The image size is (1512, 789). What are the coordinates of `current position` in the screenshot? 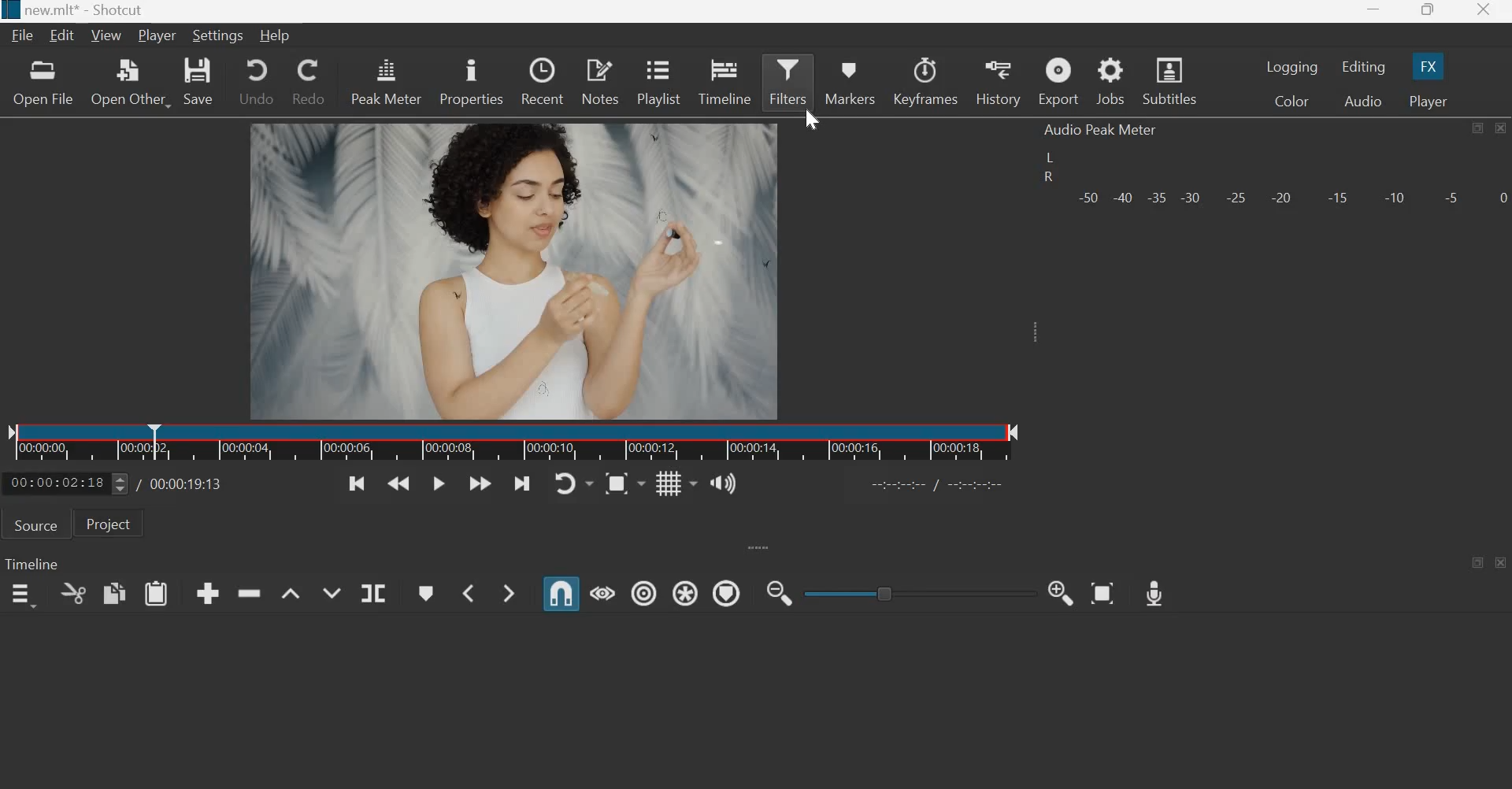 It's located at (69, 484).